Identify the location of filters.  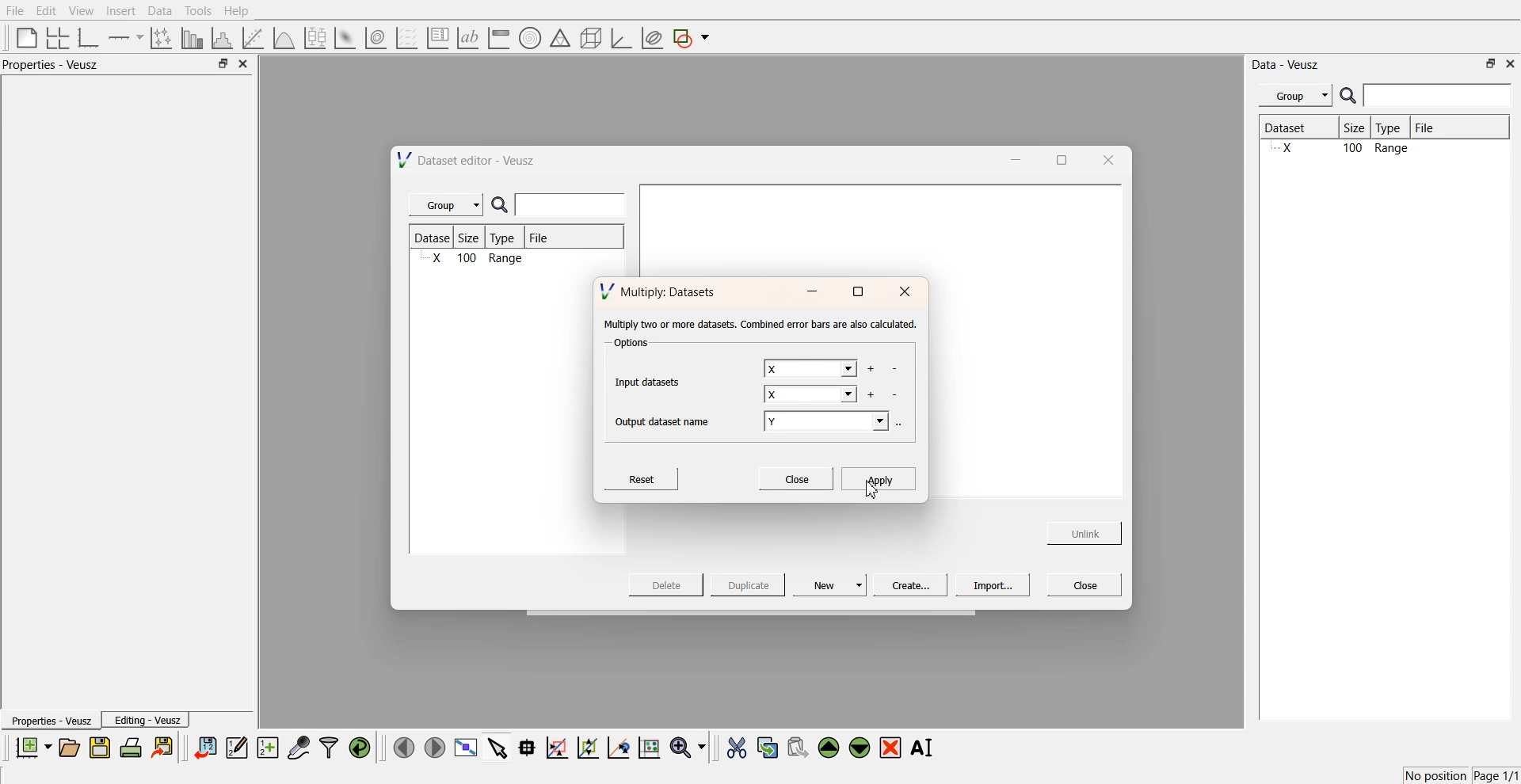
(327, 748).